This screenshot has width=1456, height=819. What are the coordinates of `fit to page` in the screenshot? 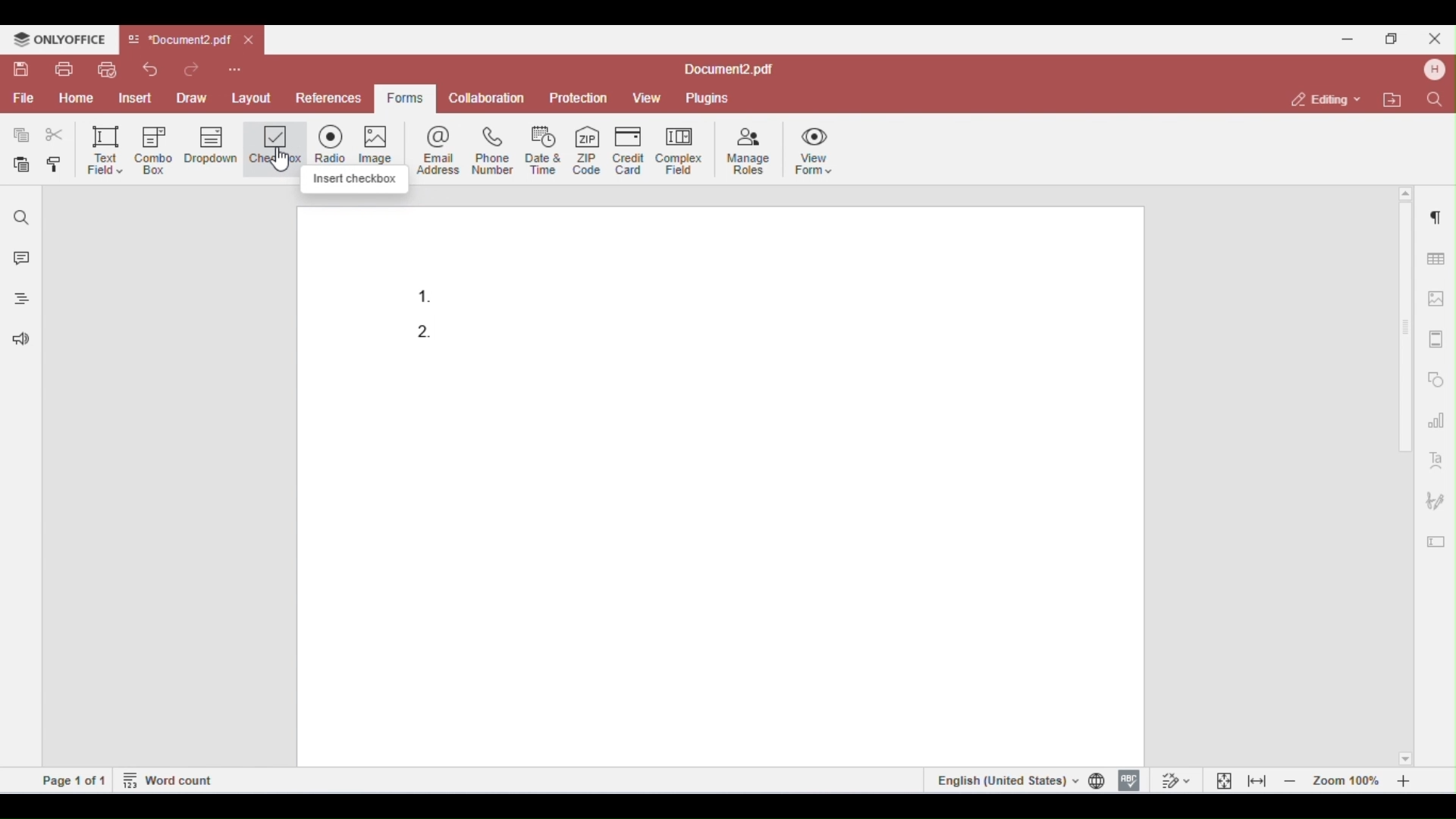 It's located at (1225, 780).